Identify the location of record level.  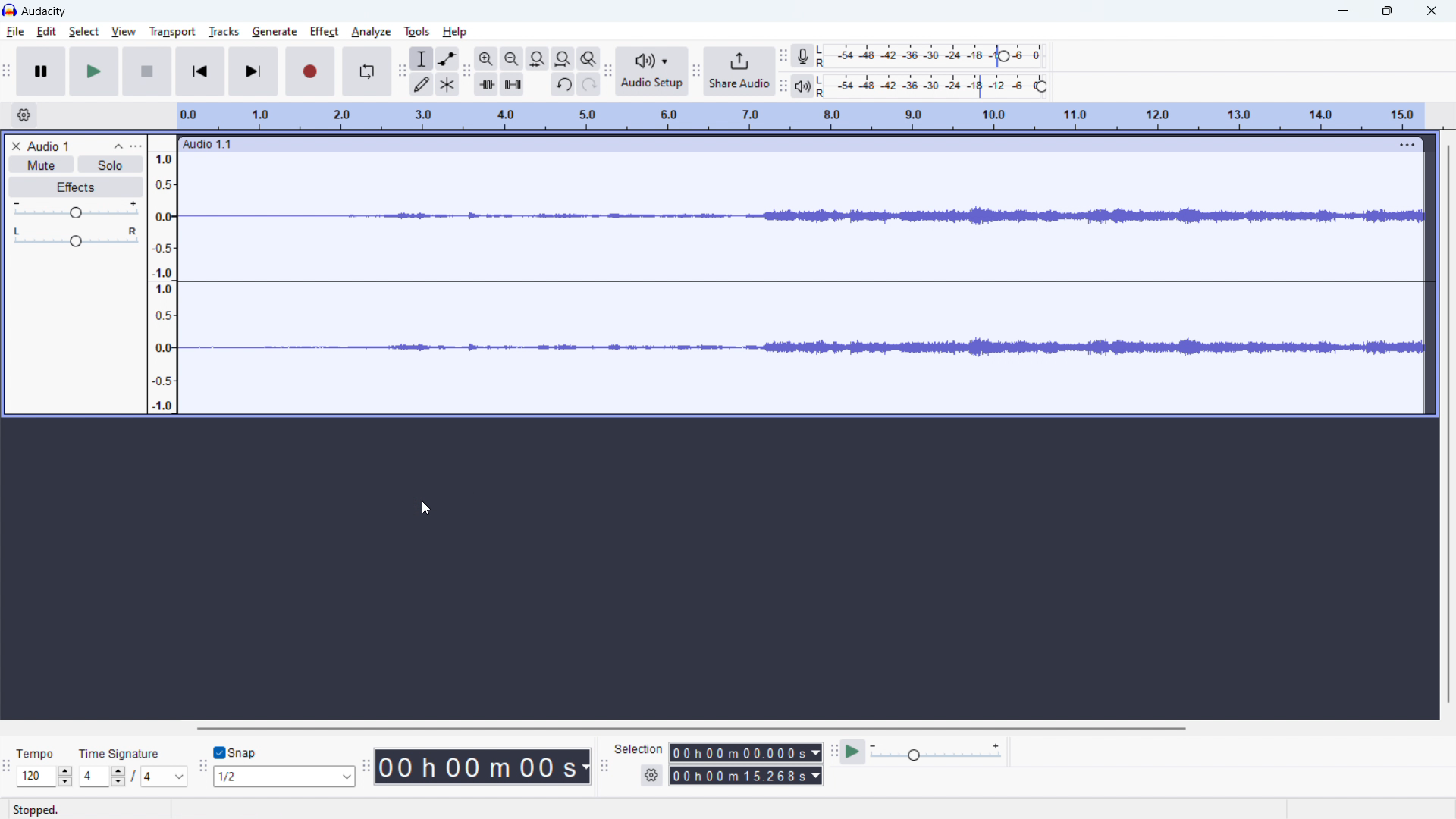
(937, 57).